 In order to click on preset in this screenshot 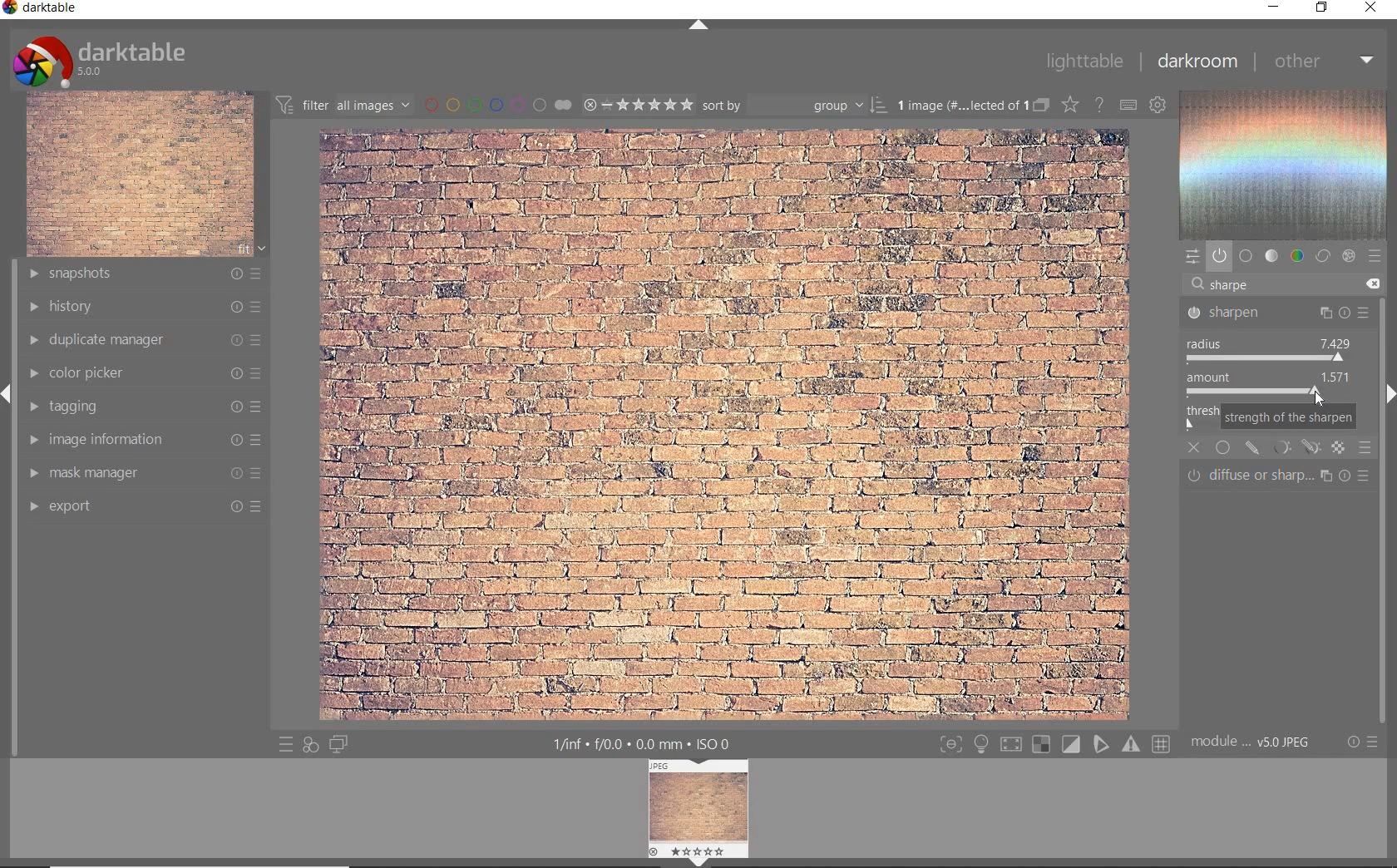, I will do `click(1375, 256)`.